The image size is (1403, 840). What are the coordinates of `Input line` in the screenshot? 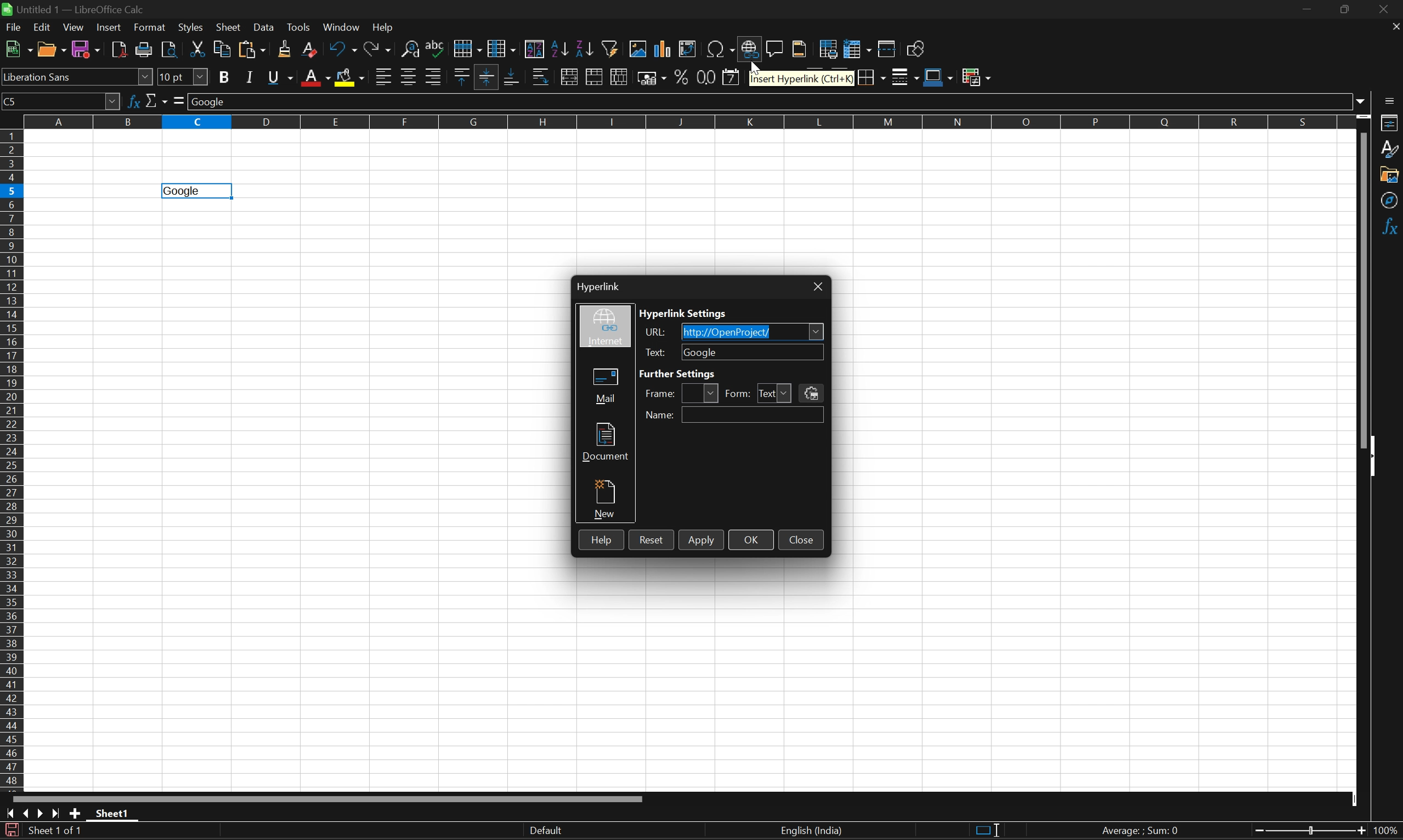 It's located at (770, 101).